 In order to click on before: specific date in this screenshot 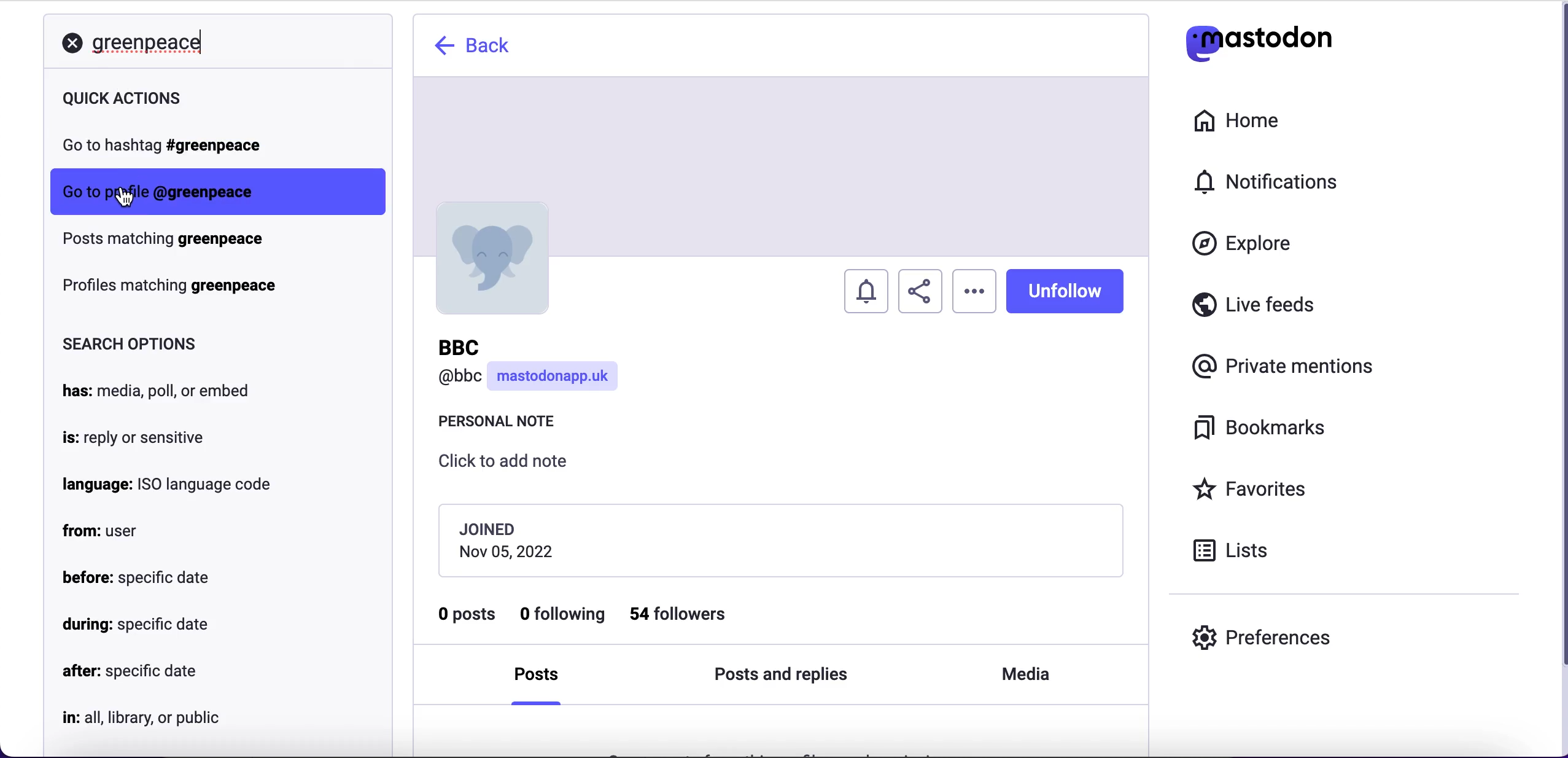, I will do `click(136, 577)`.